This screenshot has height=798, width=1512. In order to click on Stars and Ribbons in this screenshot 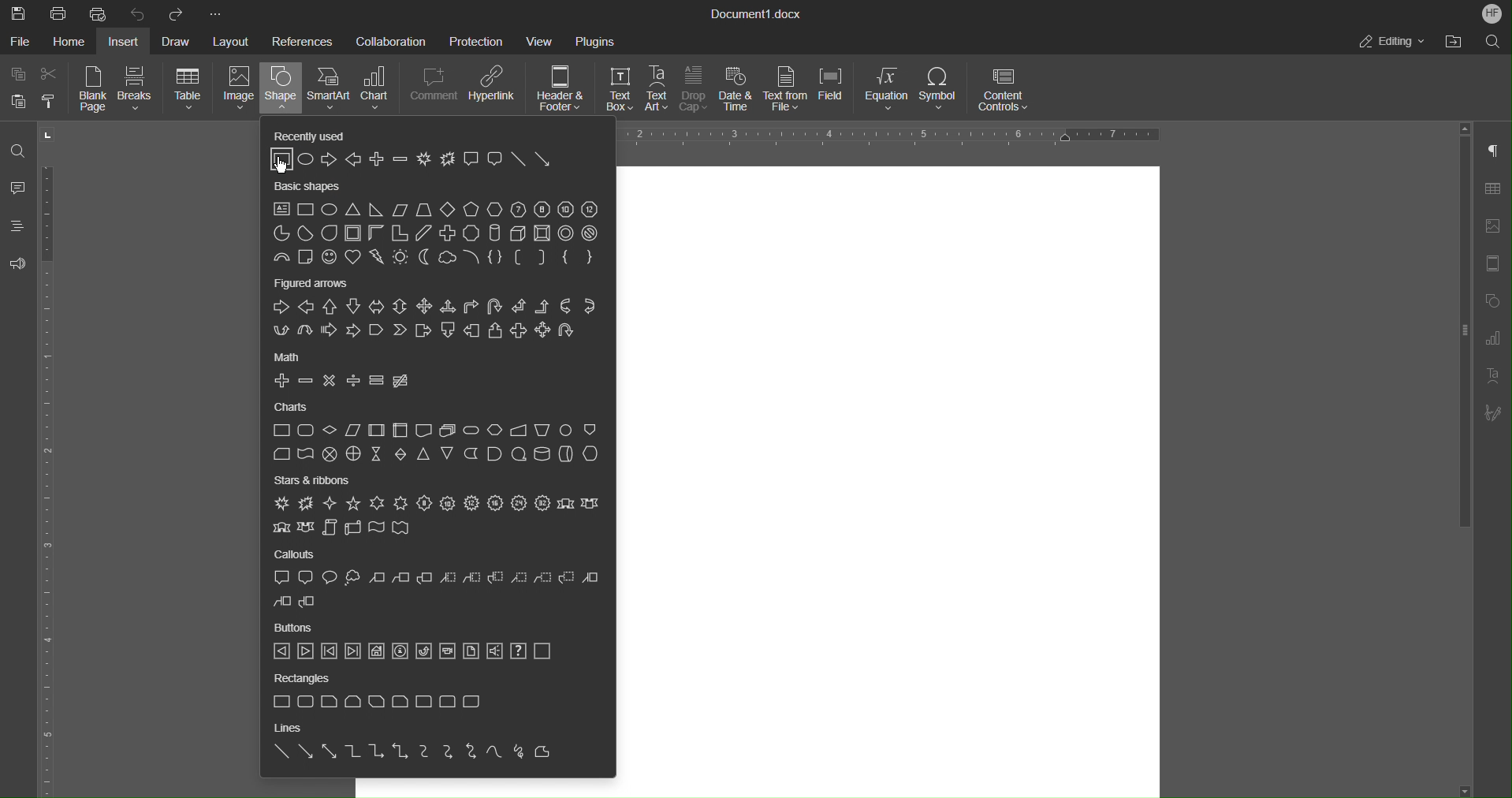, I will do `click(315, 480)`.